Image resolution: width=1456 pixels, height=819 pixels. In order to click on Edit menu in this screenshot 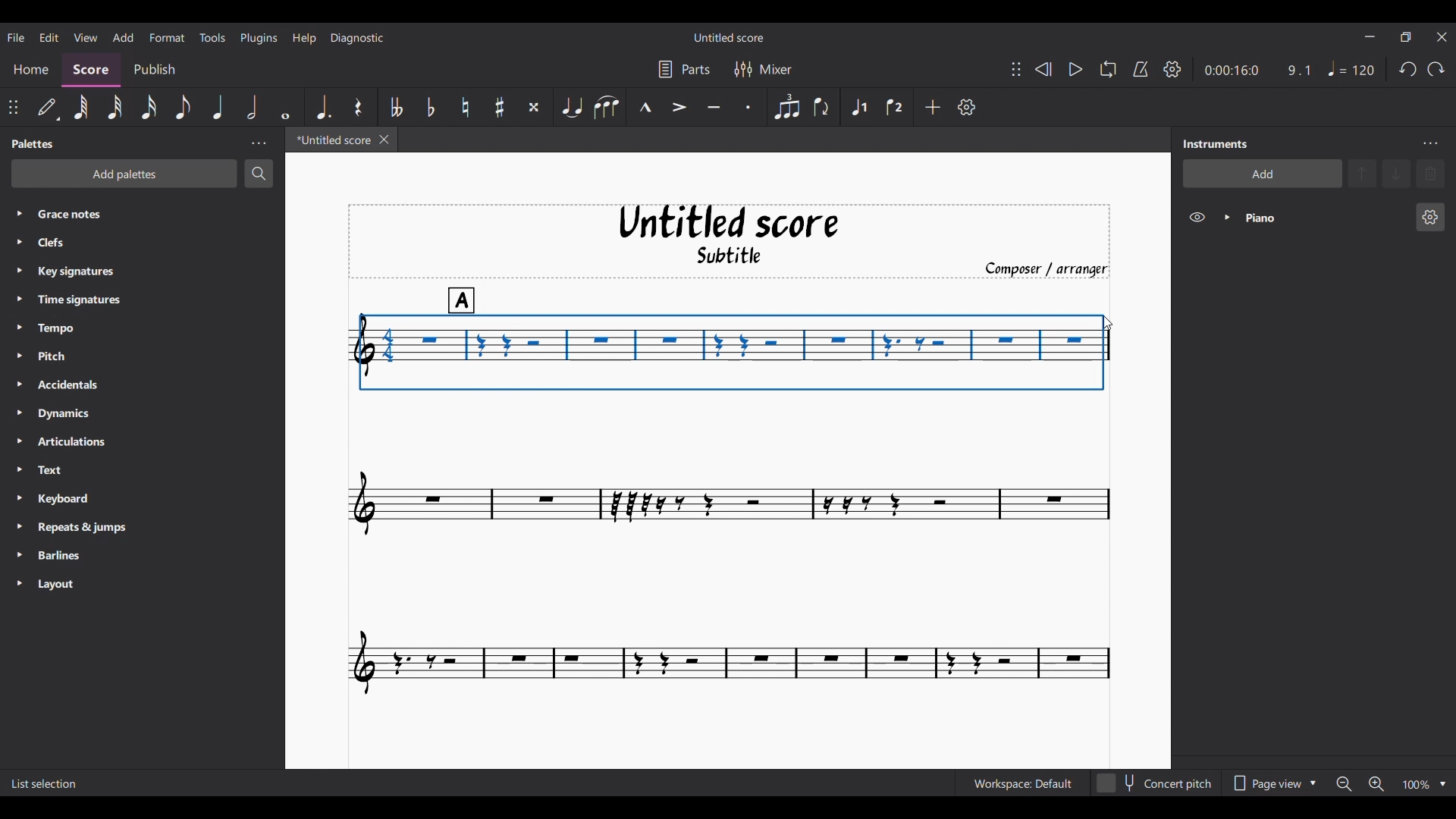, I will do `click(48, 36)`.